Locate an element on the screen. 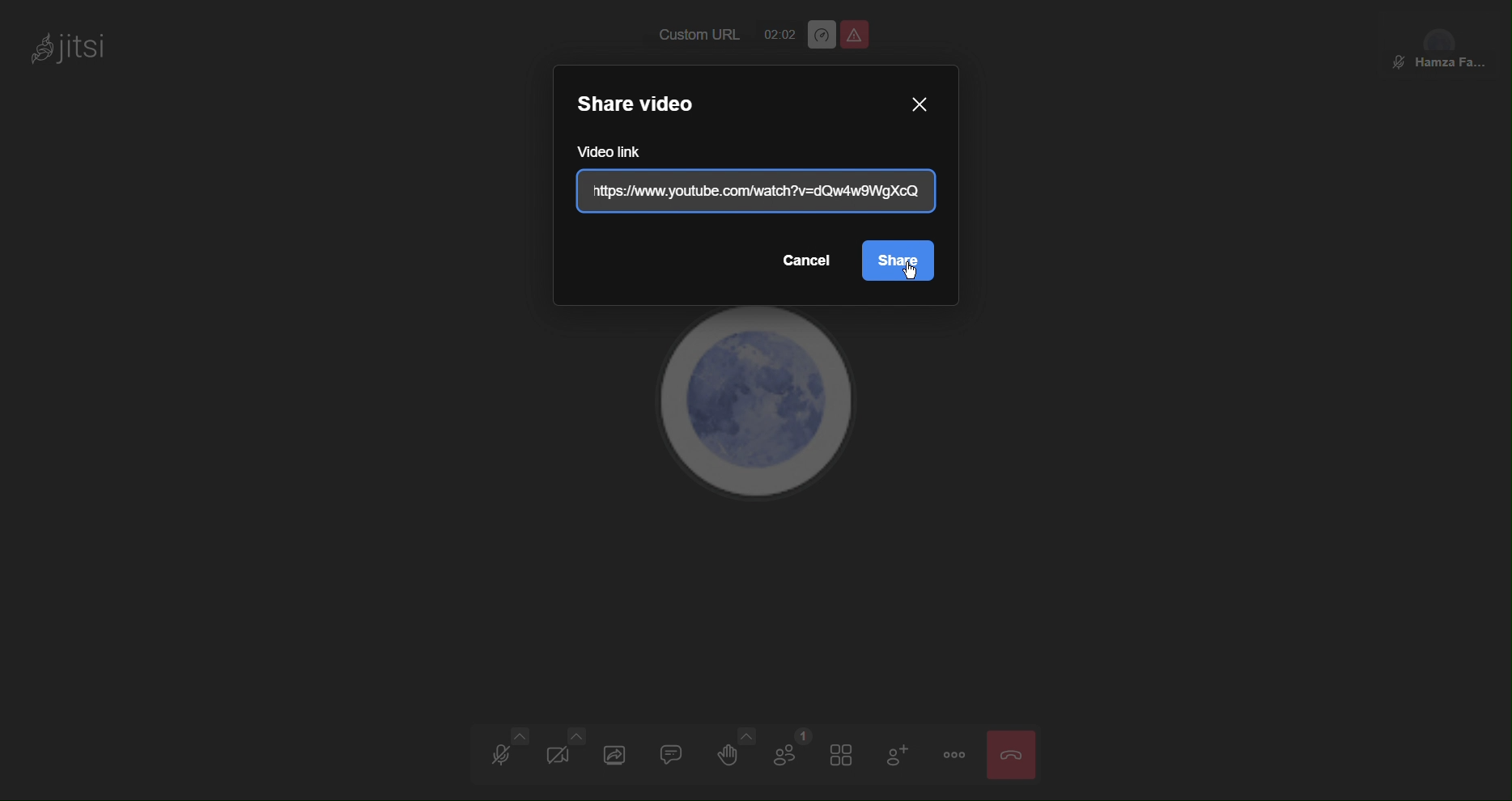  Unsafe is located at coordinates (855, 34).